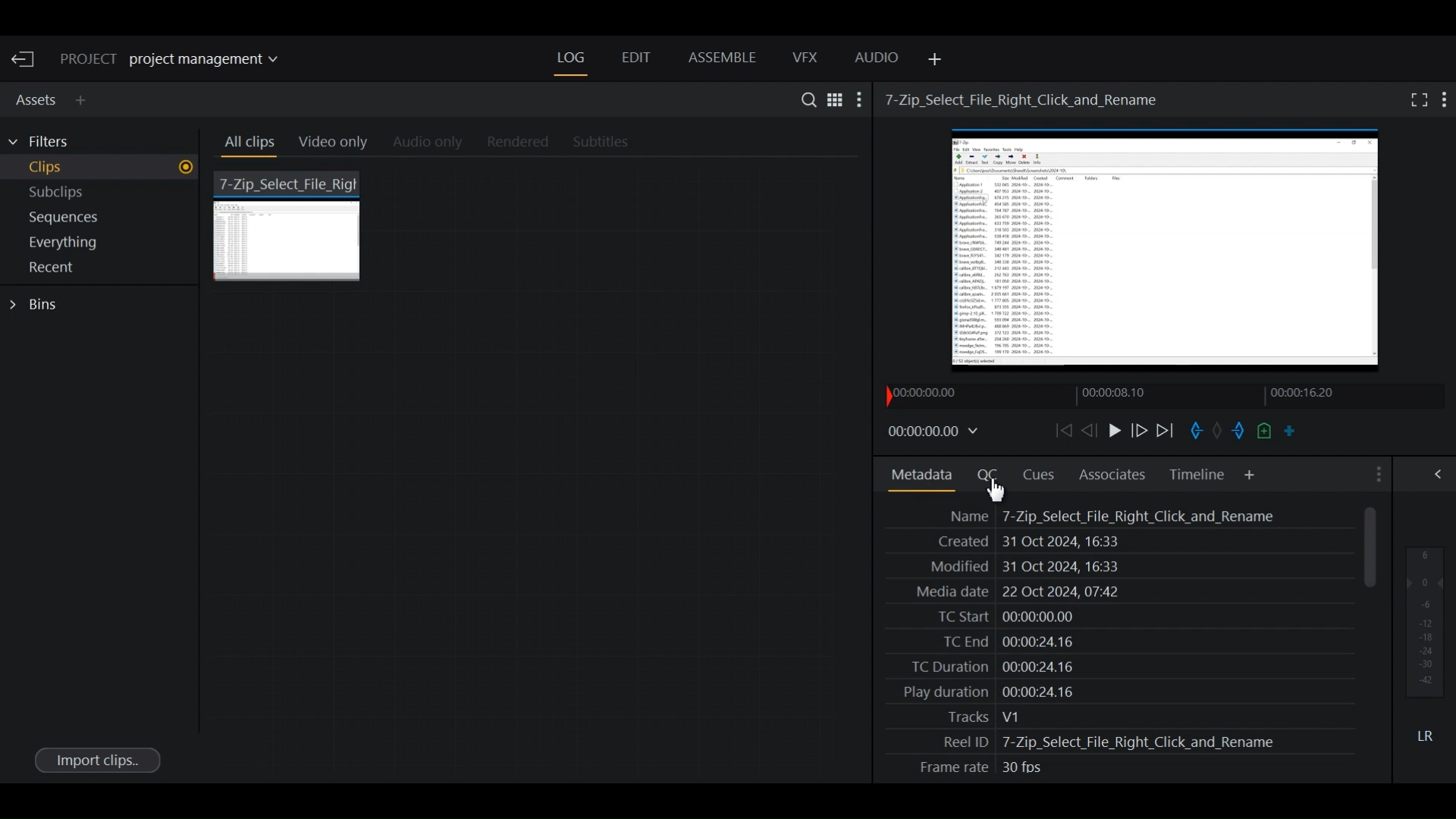 The width and height of the screenshot is (1456, 819). Describe the element at coordinates (290, 224) in the screenshot. I see `7 zip` at that location.